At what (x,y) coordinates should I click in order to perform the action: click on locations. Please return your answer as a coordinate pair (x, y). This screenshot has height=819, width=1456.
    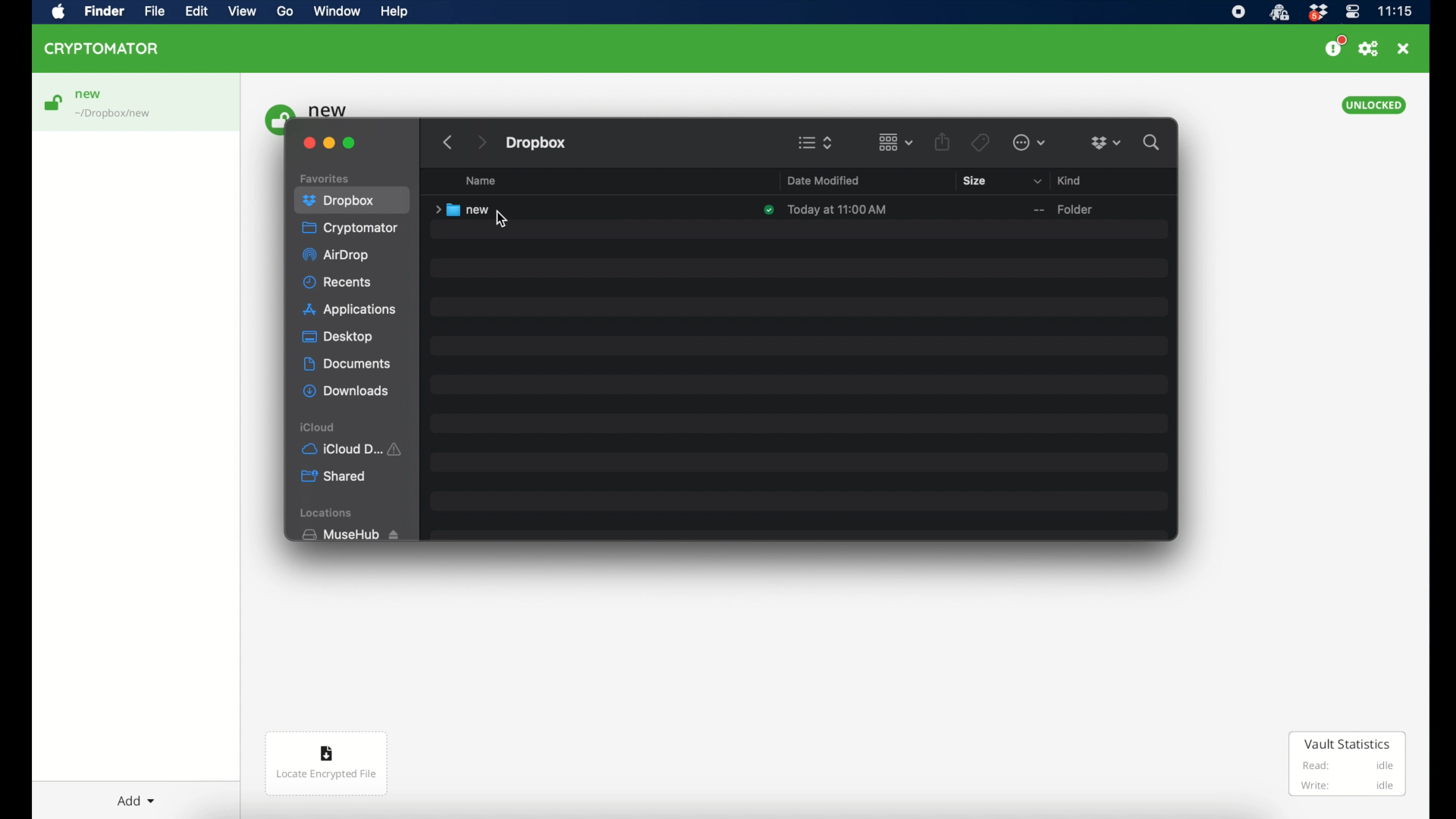
    Looking at the image, I should click on (328, 513).